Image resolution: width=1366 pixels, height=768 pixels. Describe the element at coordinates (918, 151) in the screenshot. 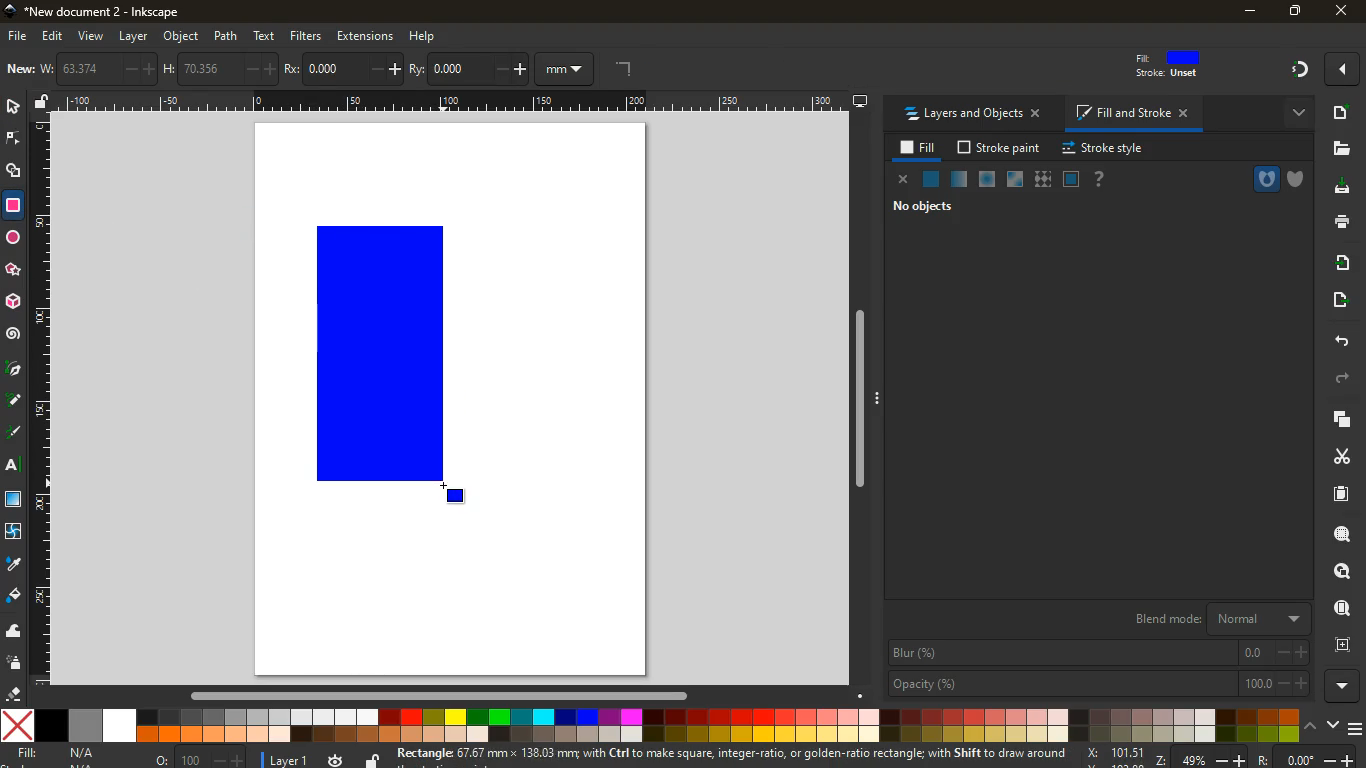

I see `fill` at that location.